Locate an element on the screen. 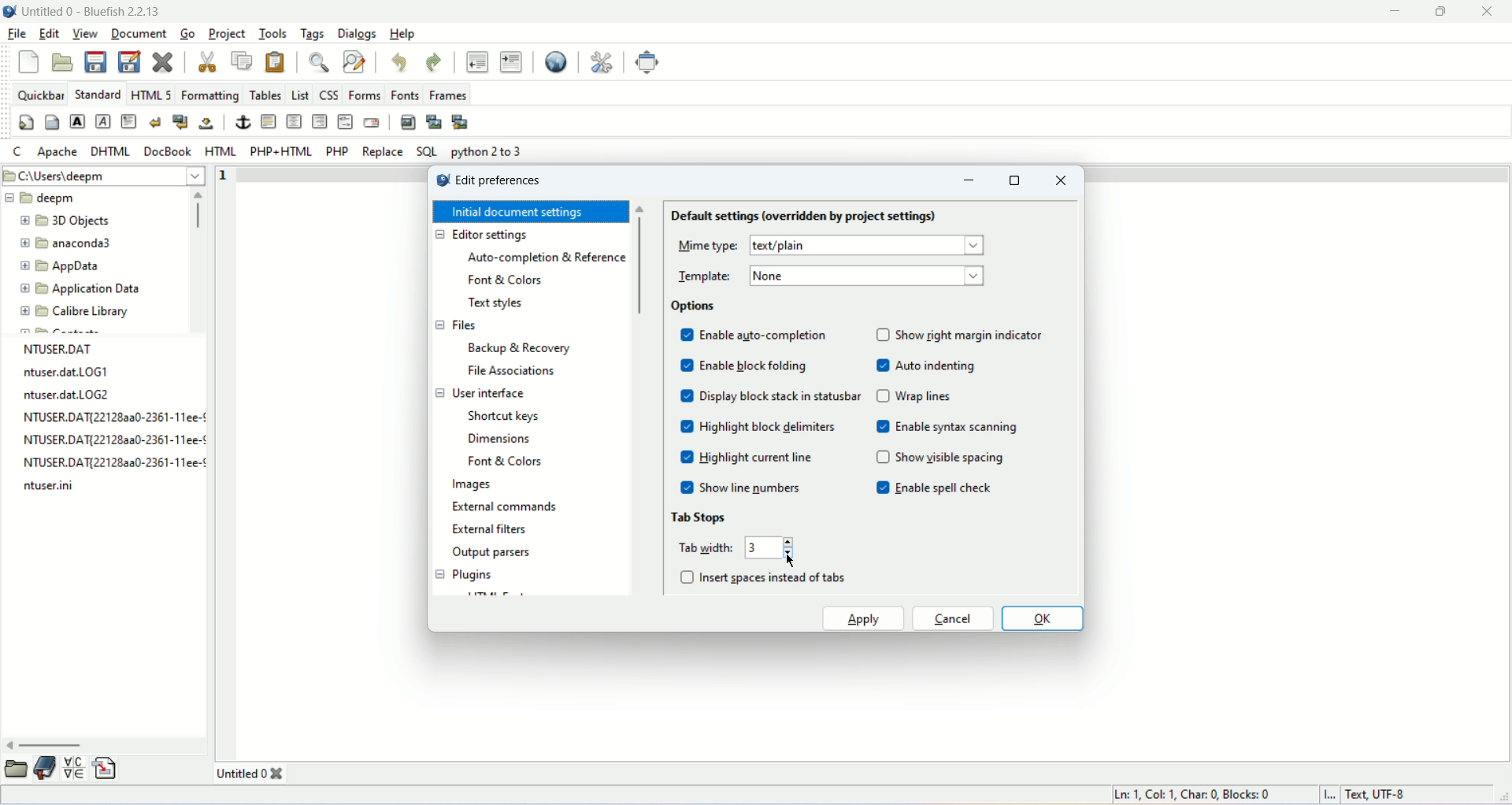 The width and height of the screenshot is (1512, 805). horizontal scroll bar is located at coordinates (50, 746).